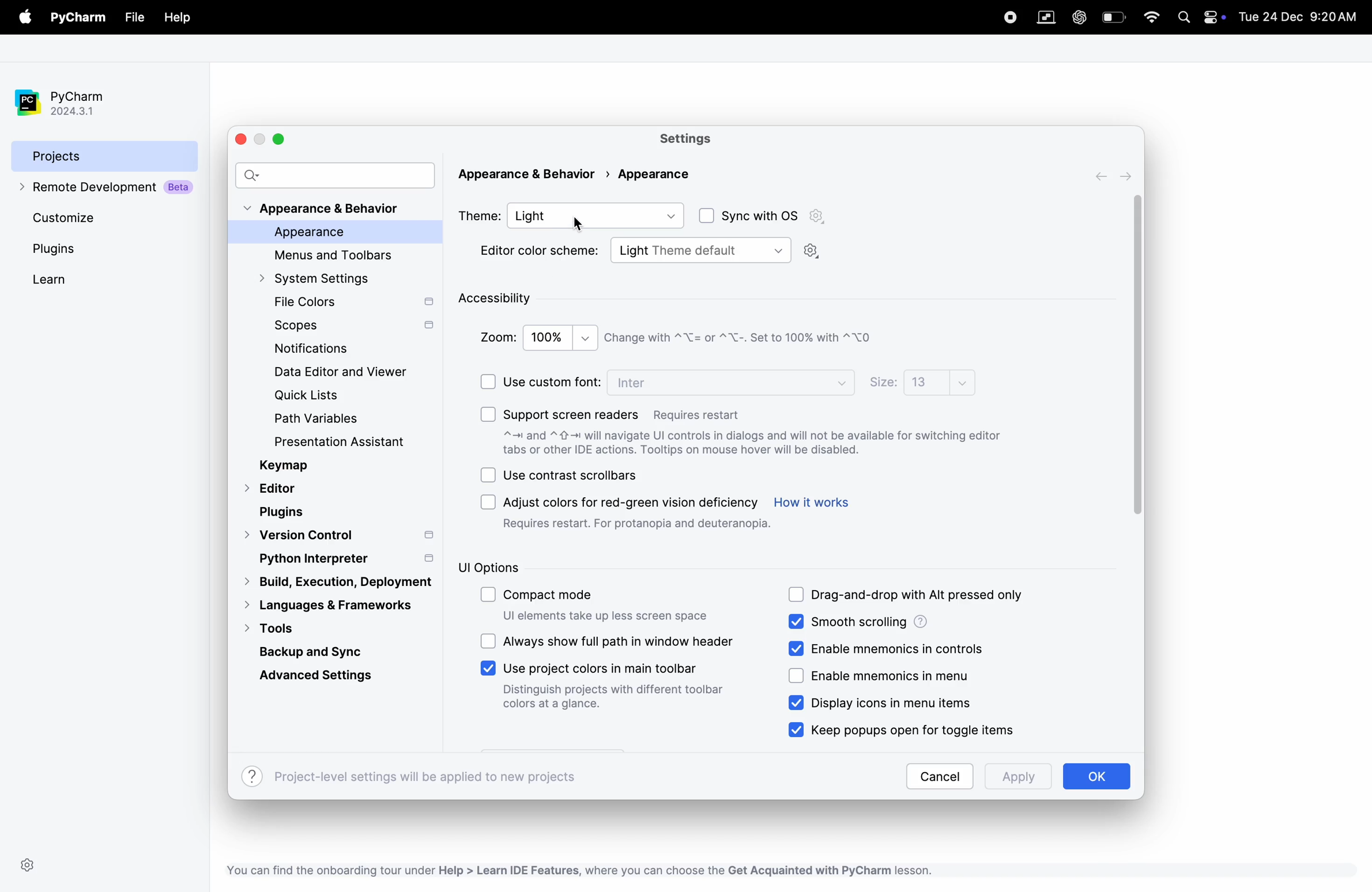 The width and height of the screenshot is (1372, 892). I want to click on settings, so click(812, 252).